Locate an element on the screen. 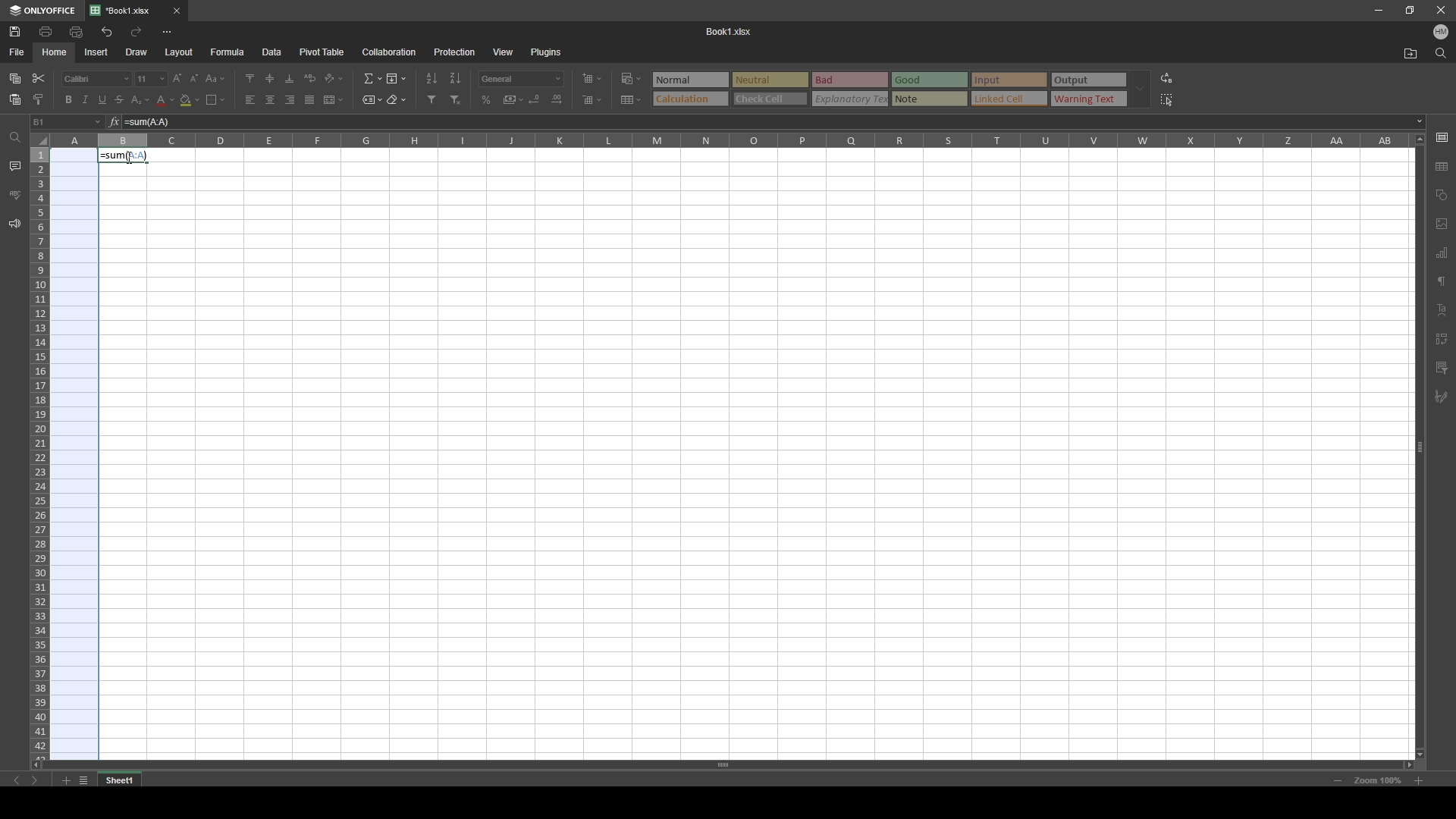  cell selection is located at coordinates (73, 453).